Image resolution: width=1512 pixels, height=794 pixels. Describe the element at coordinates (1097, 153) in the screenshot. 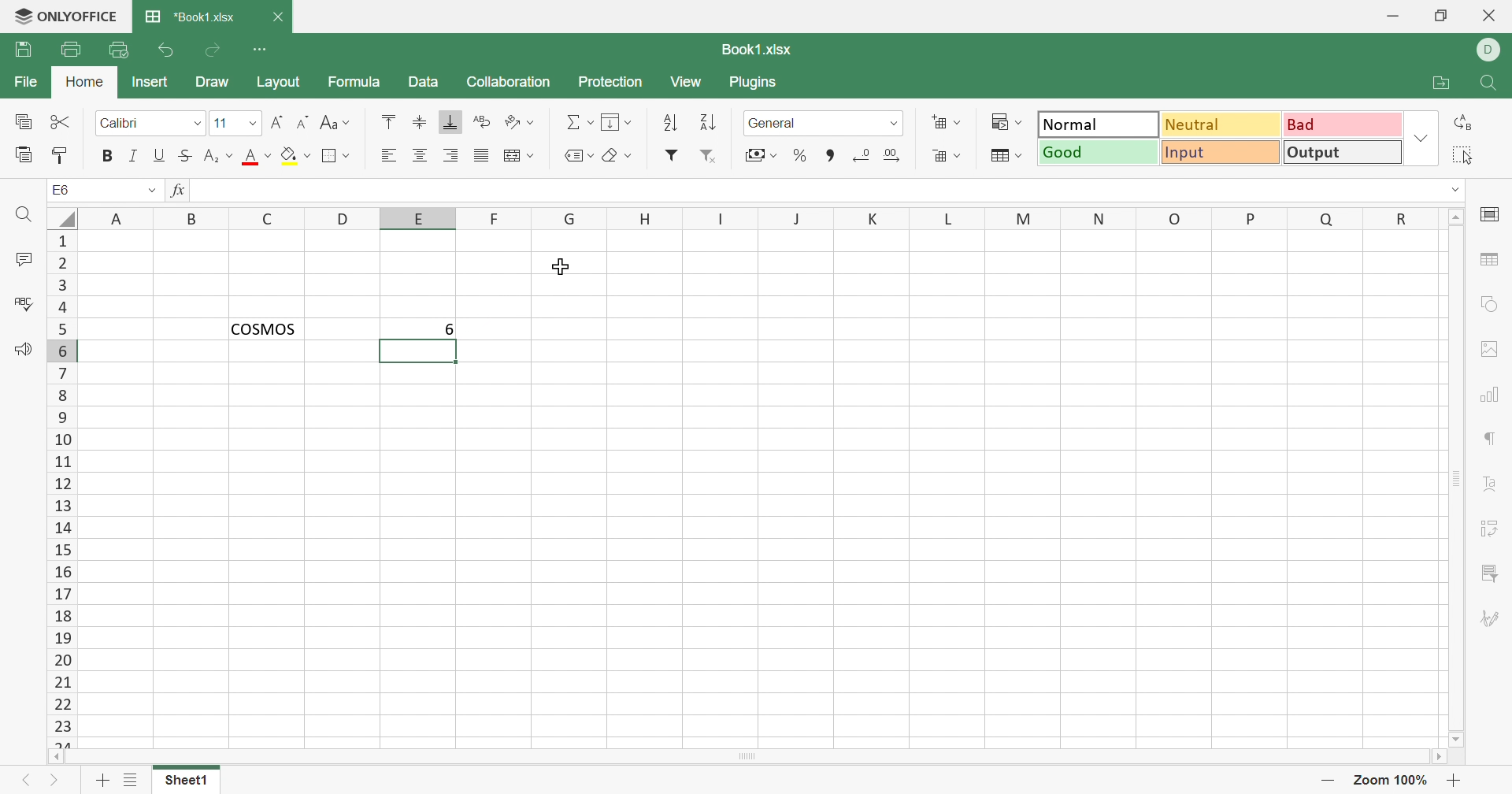

I see `Good` at that location.